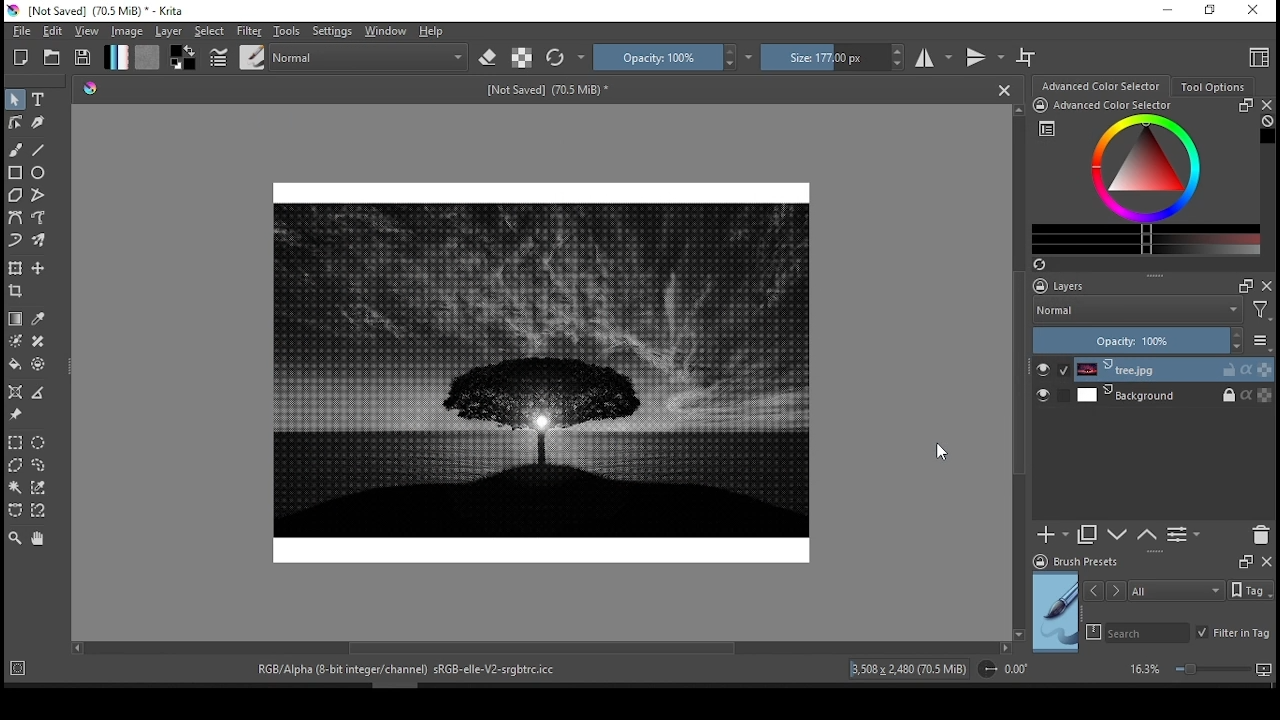 The image size is (1280, 720). I want to click on scroll bar, so click(1021, 372).